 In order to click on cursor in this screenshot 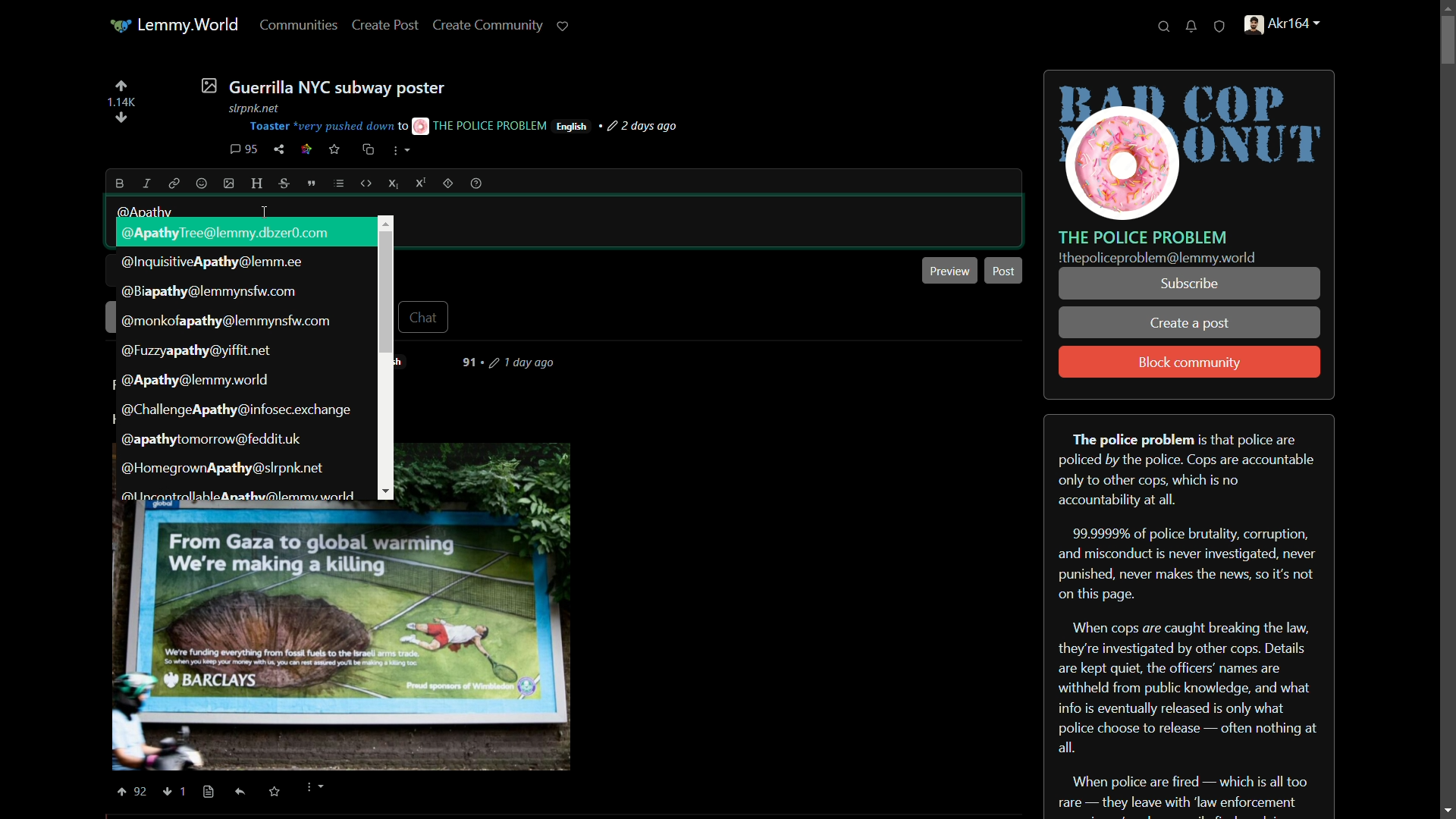, I will do `click(263, 213)`.